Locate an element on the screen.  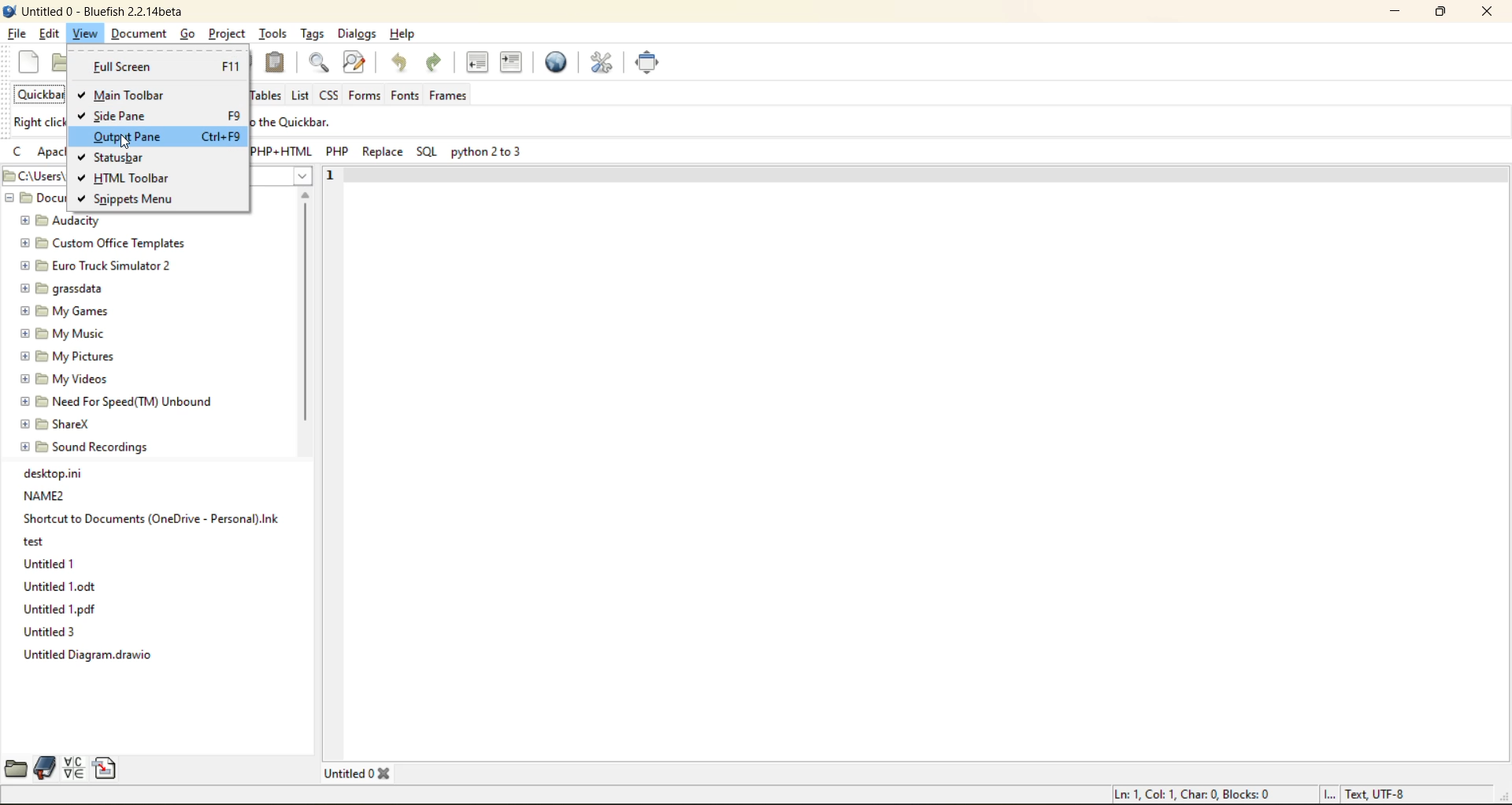
go is located at coordinates (188, 36).